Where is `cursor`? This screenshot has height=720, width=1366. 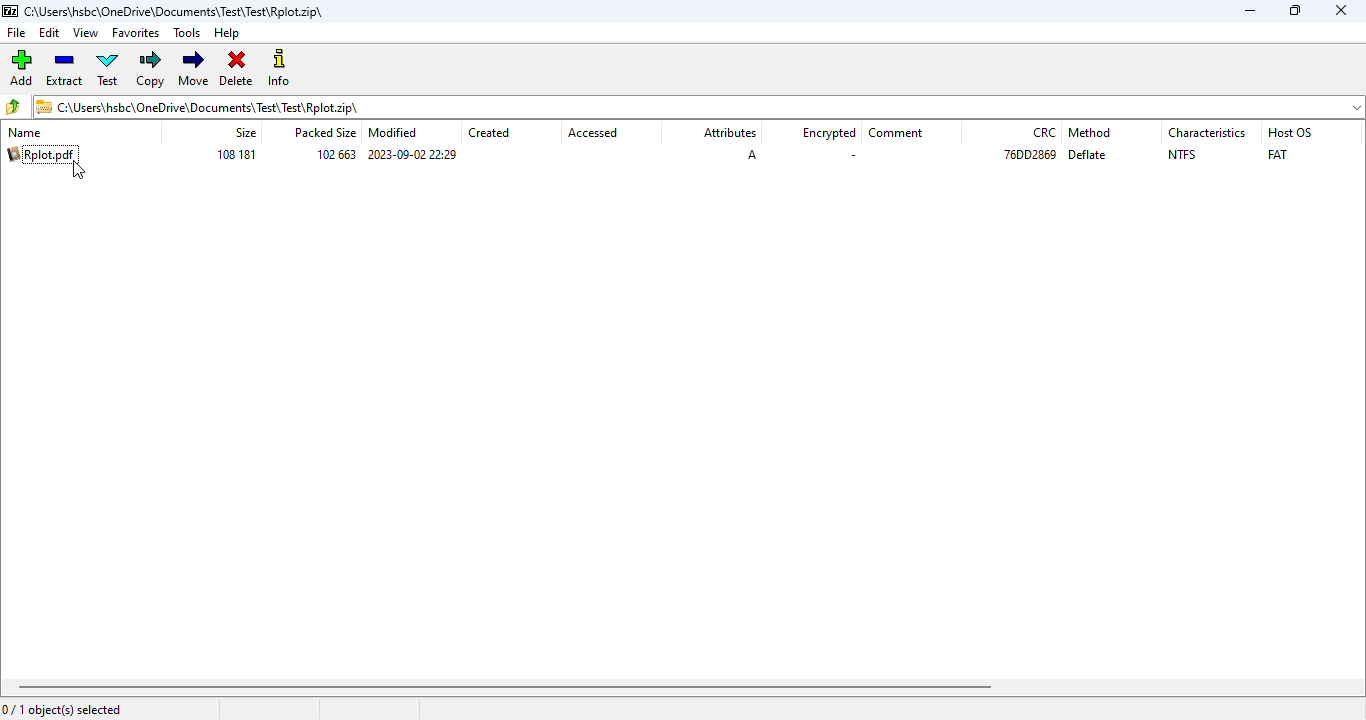
cursor is located at coordinates (79, 170).